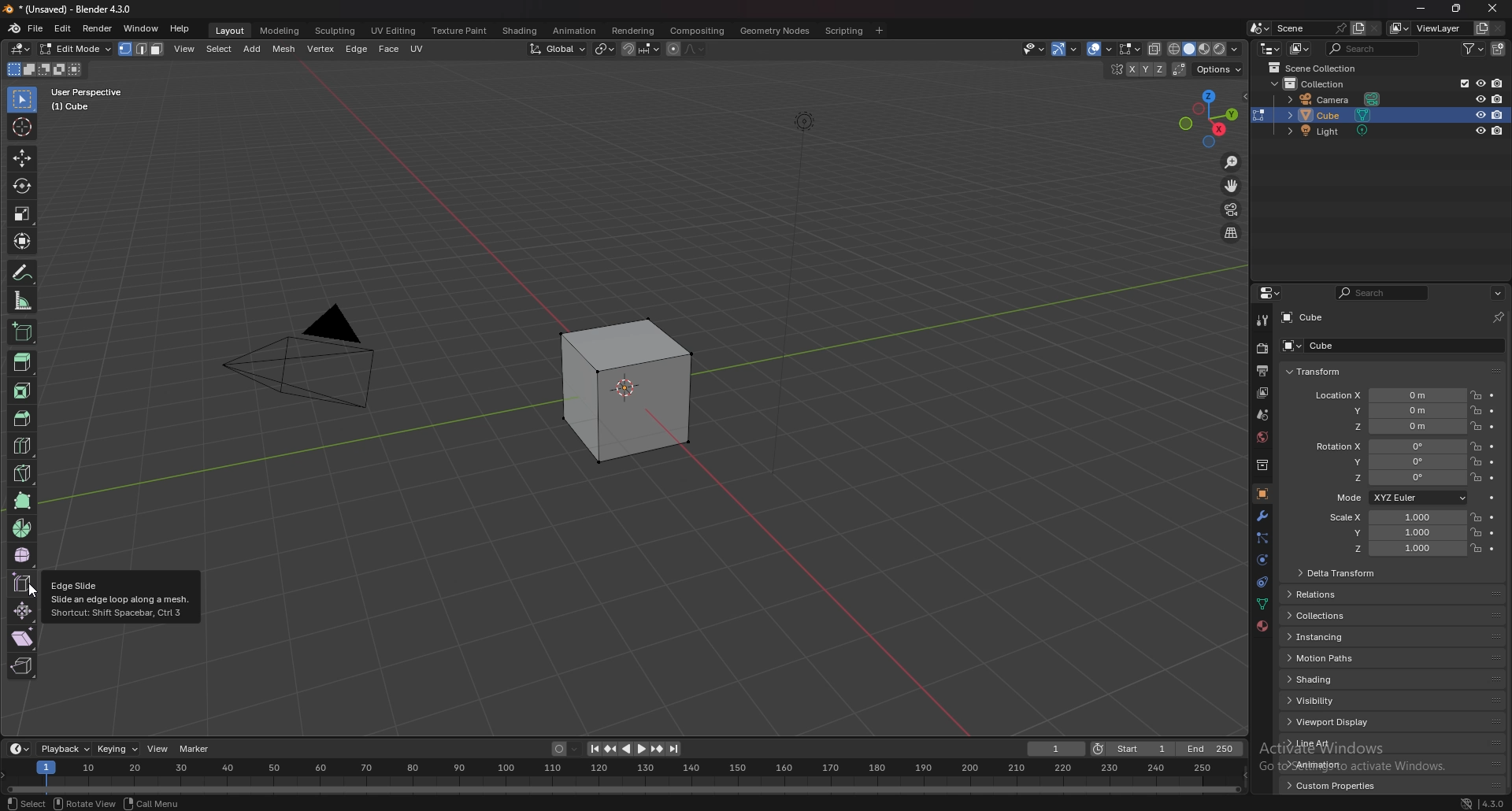 The height and width of the screenshot is (811, 1512). I want to click on particle, so click(1262, 539).